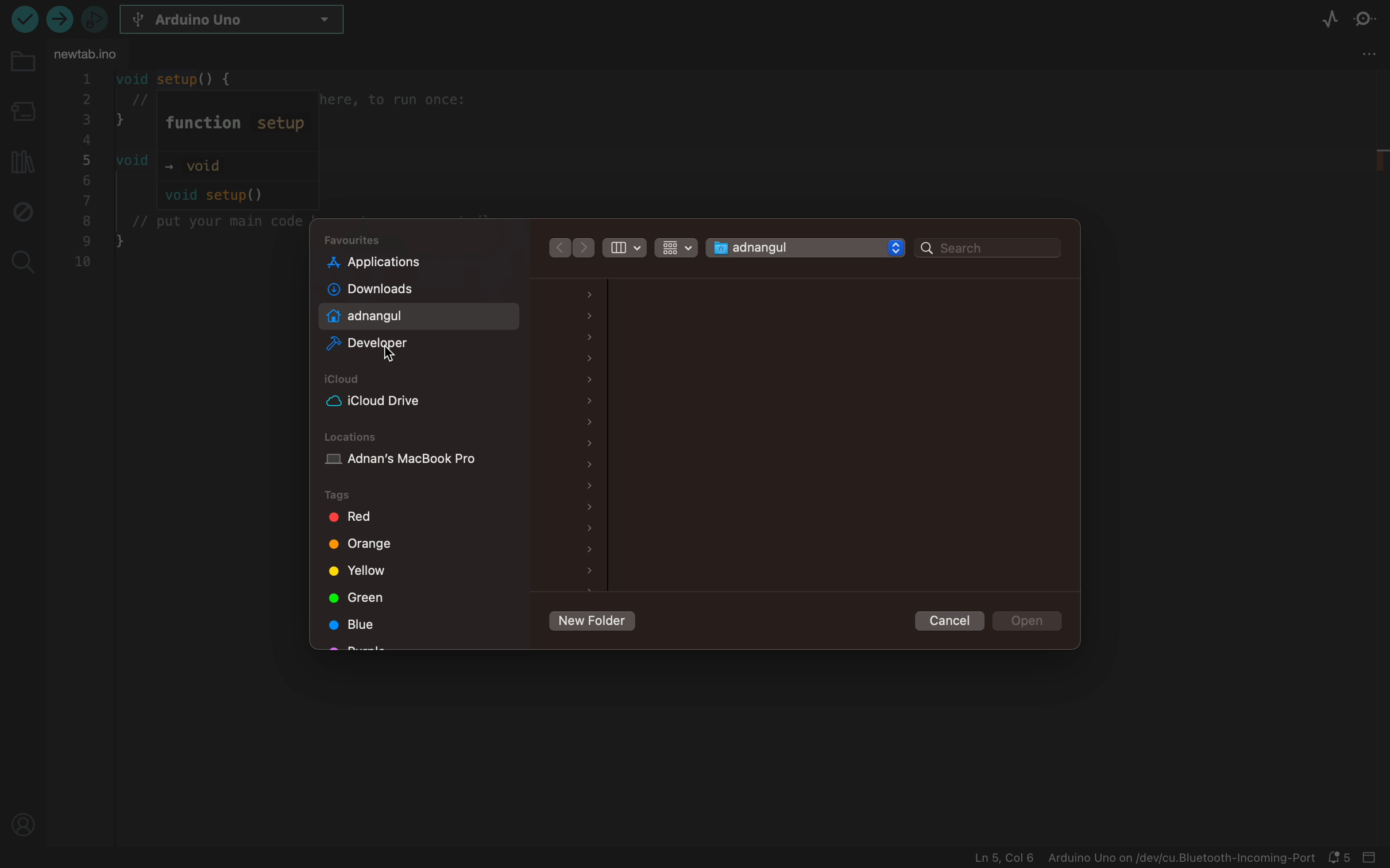  What do you see at coordinates (400, 346) in the screenshot?
I see `developer` at bounding box center [400, 346].